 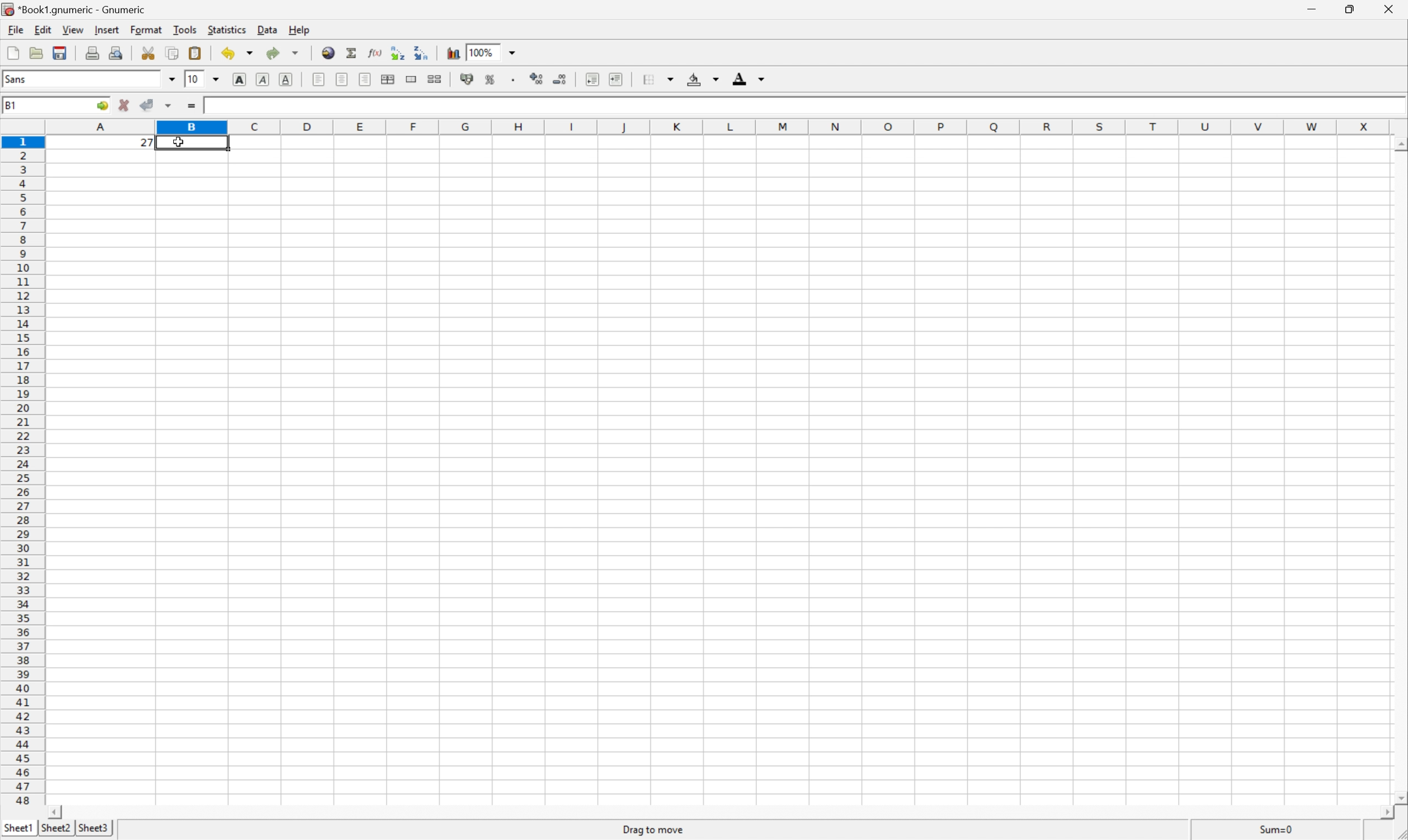 What do you see at coordinates (194, 107) in the screenshot?
I see `Enter formula` at bounding box center [194, 107].